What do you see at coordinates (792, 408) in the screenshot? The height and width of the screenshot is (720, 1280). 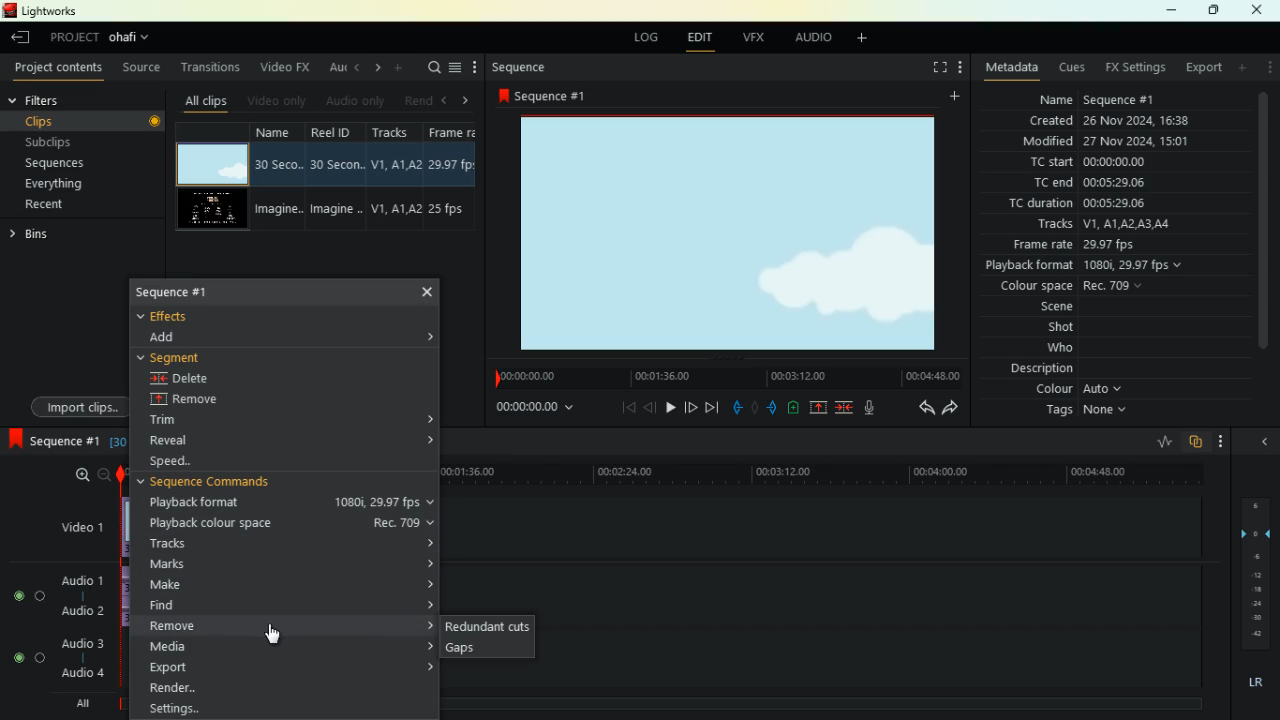 I see `battery` at bounding box center [792, 408].